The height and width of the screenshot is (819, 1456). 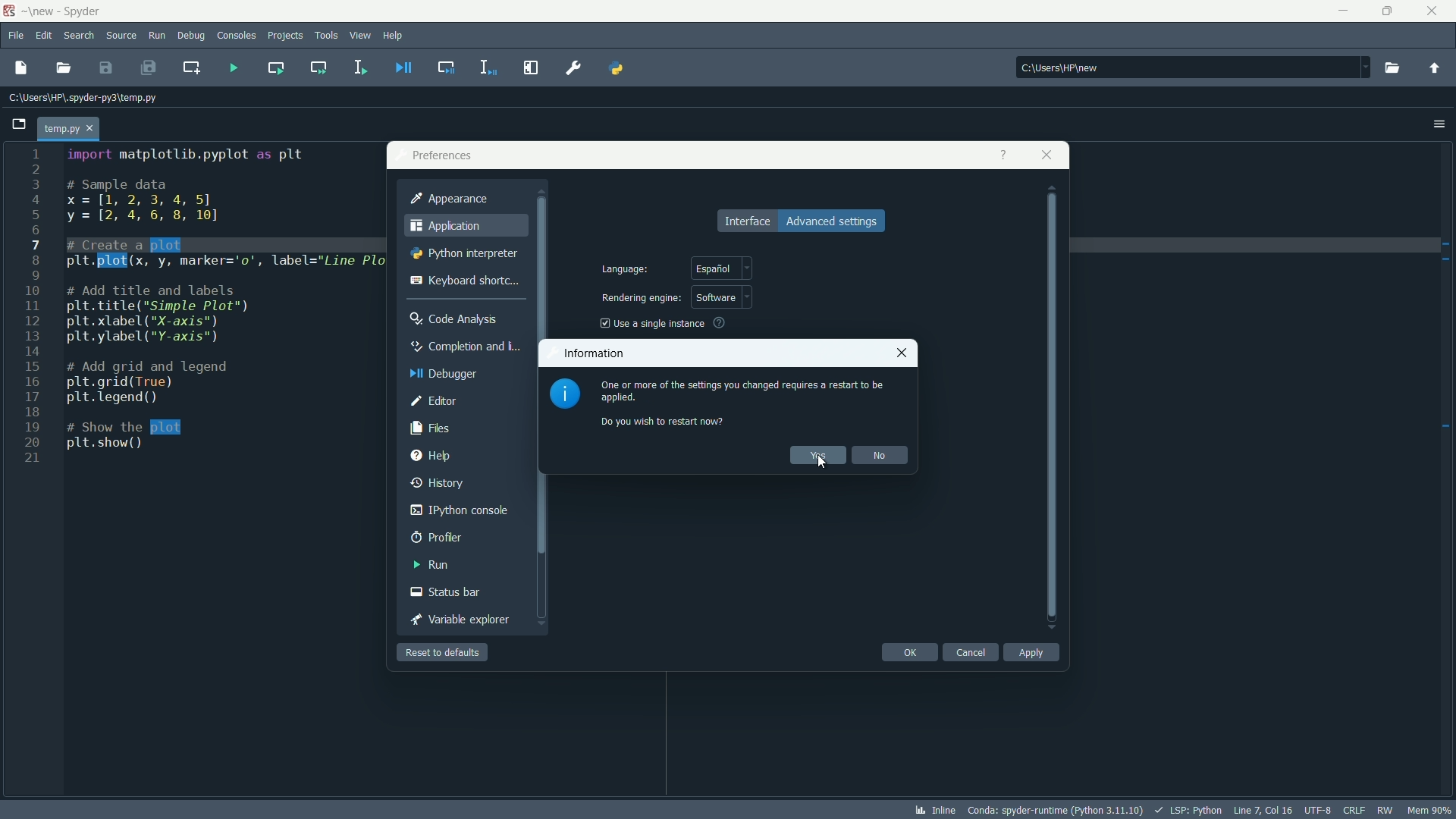 What do you see at coordinates (64, 68) in the screenshot?
I see `open file` at bounding box center [64, 68].